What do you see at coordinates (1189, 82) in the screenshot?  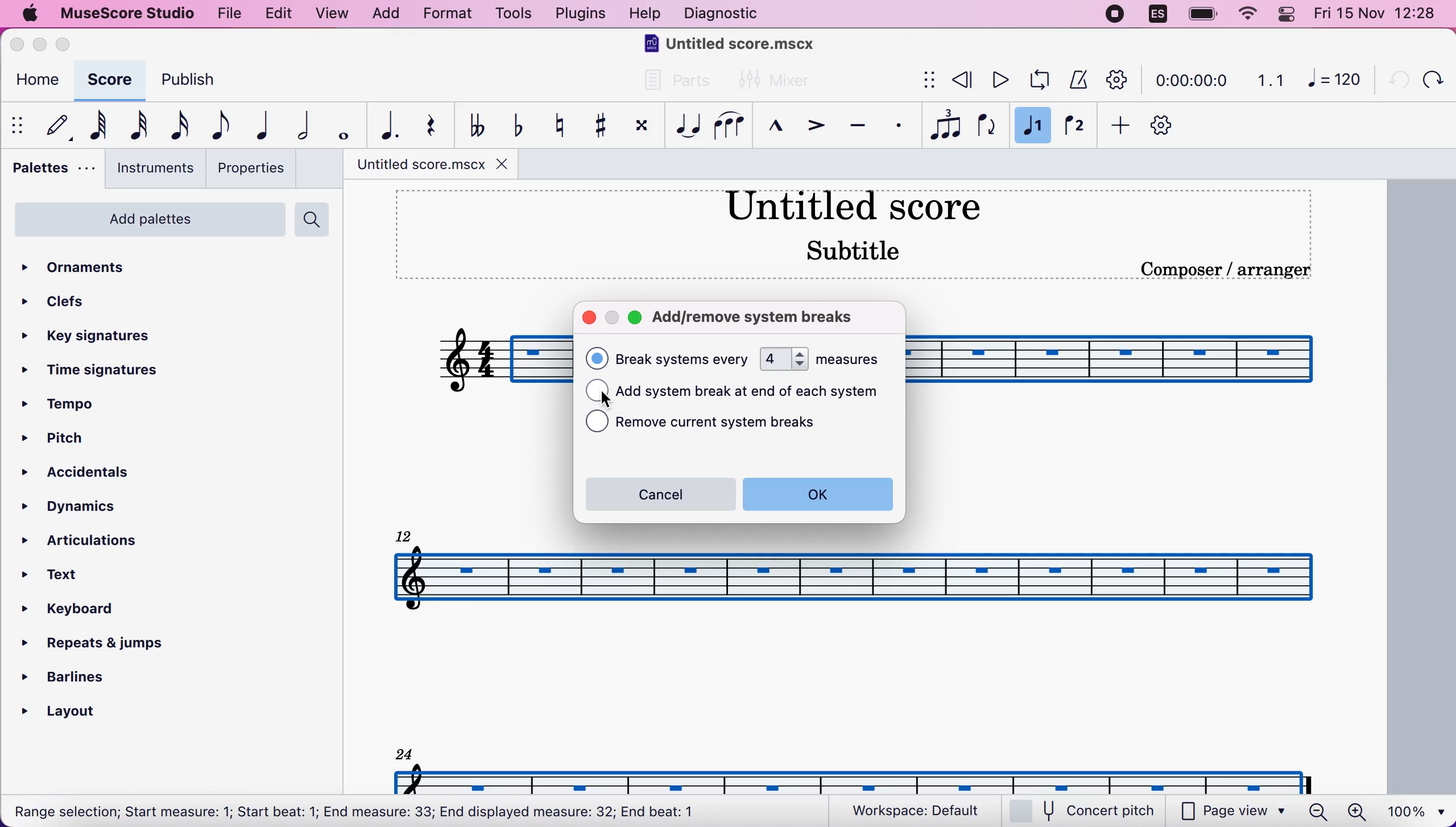 I see `time` at bounding box center [1189, 82].